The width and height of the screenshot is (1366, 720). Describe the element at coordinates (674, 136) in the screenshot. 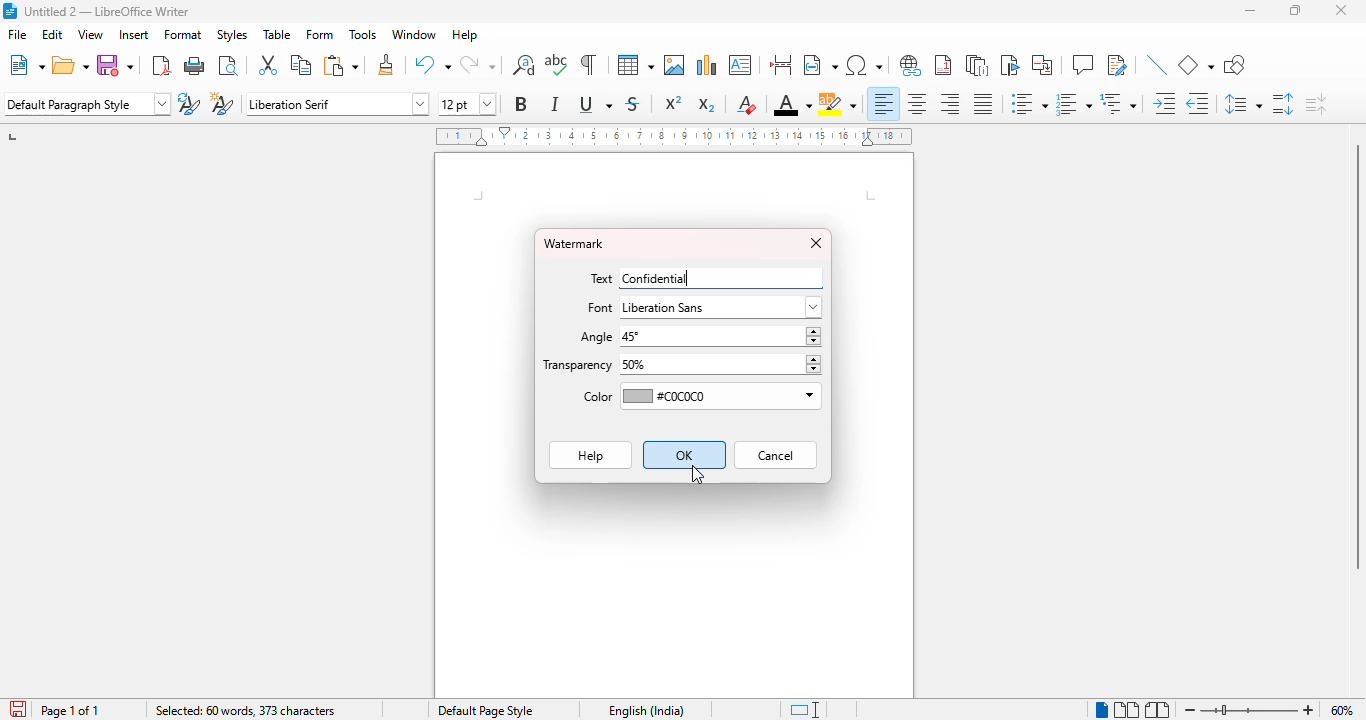

I see `ruler` at that location.